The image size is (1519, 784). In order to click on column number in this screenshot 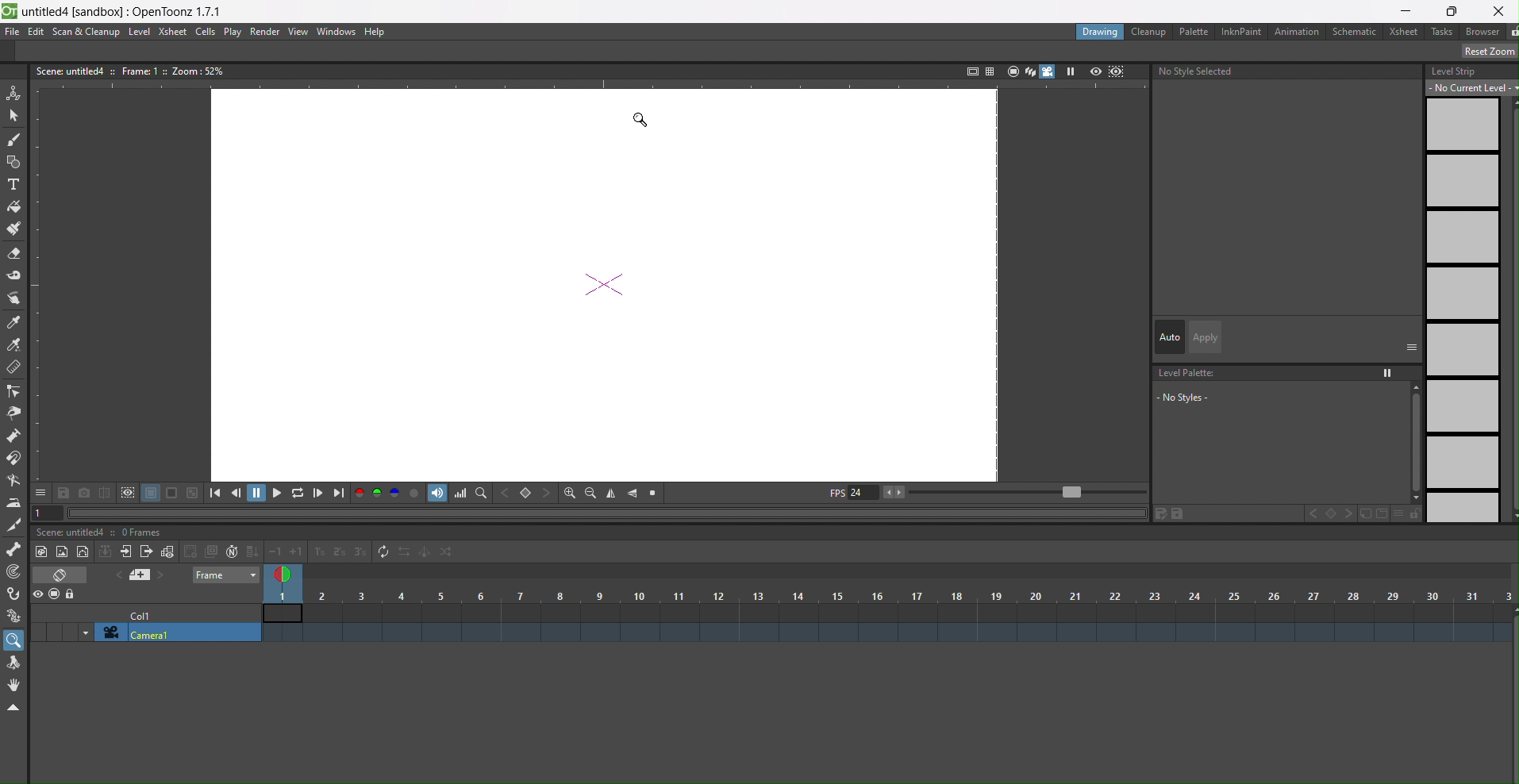, I will do `click(889, 604)`.